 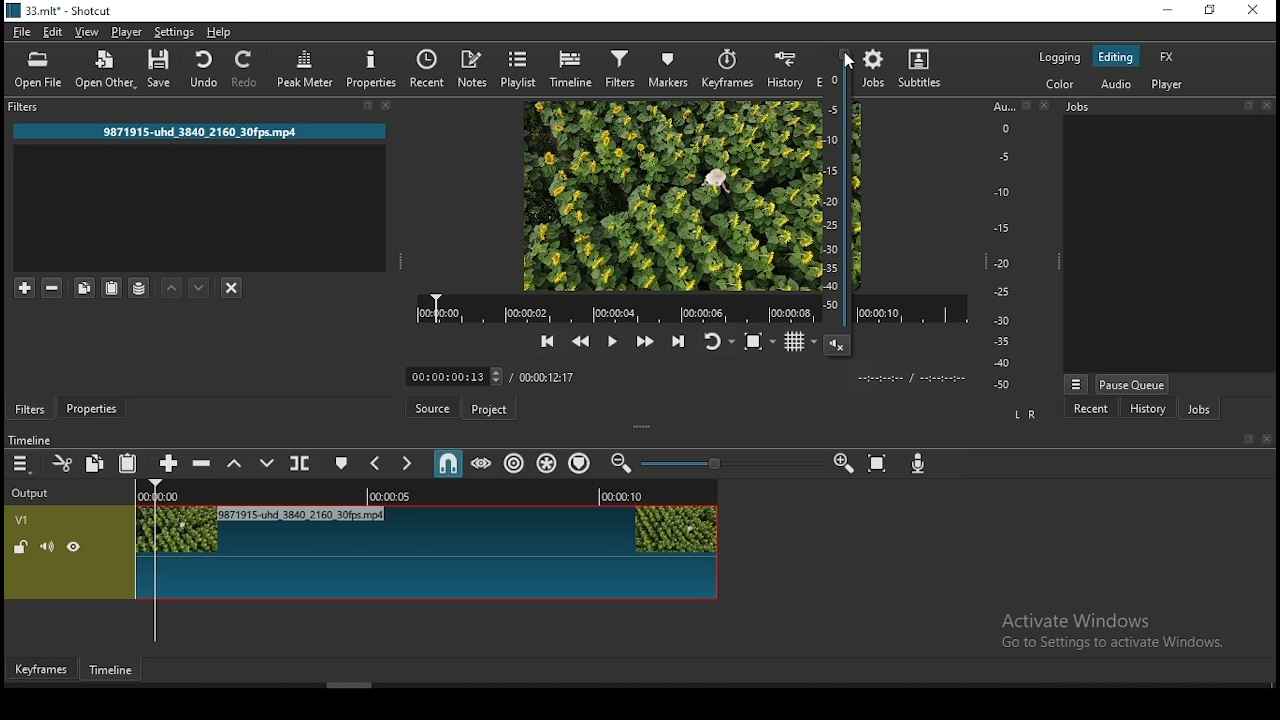 What do you see at coordinates (1044, 107) in the screenshot?
I see `close` at bounding box center [1044, 107].